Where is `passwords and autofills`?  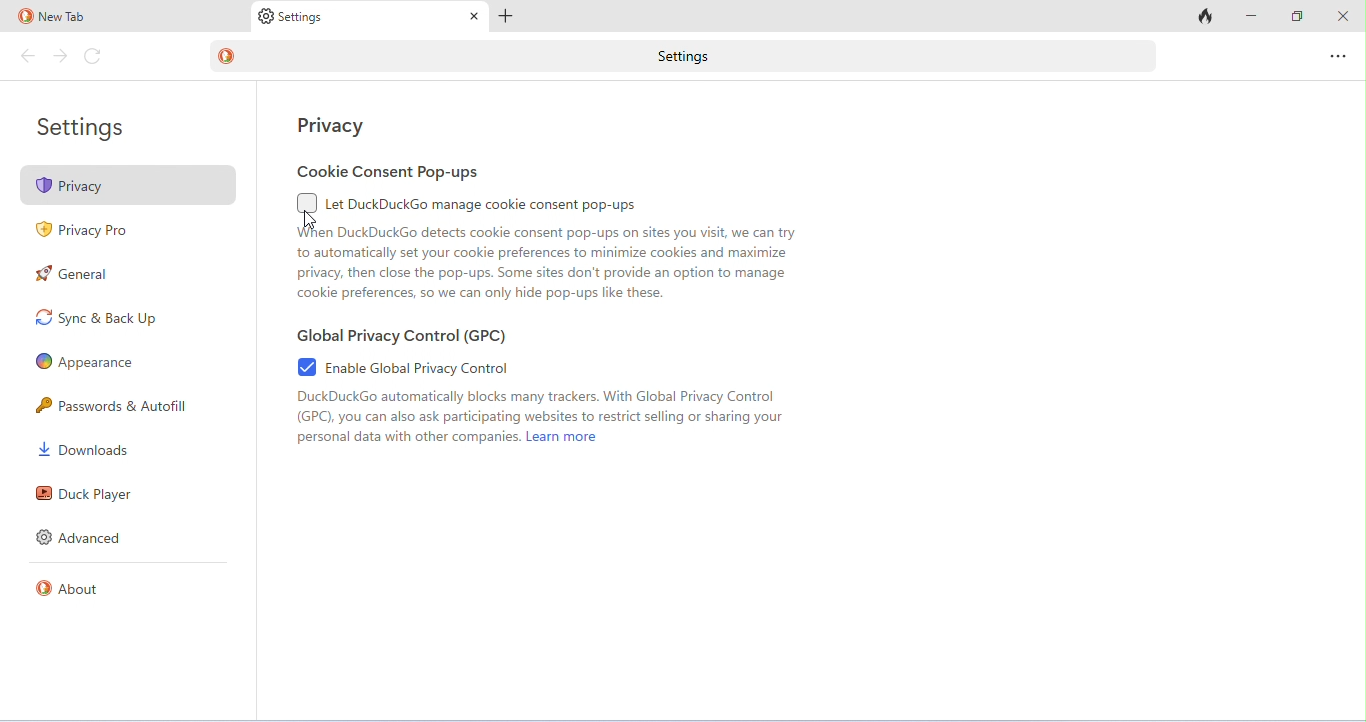 passwords and autofills is located at coordinates (116, 405).